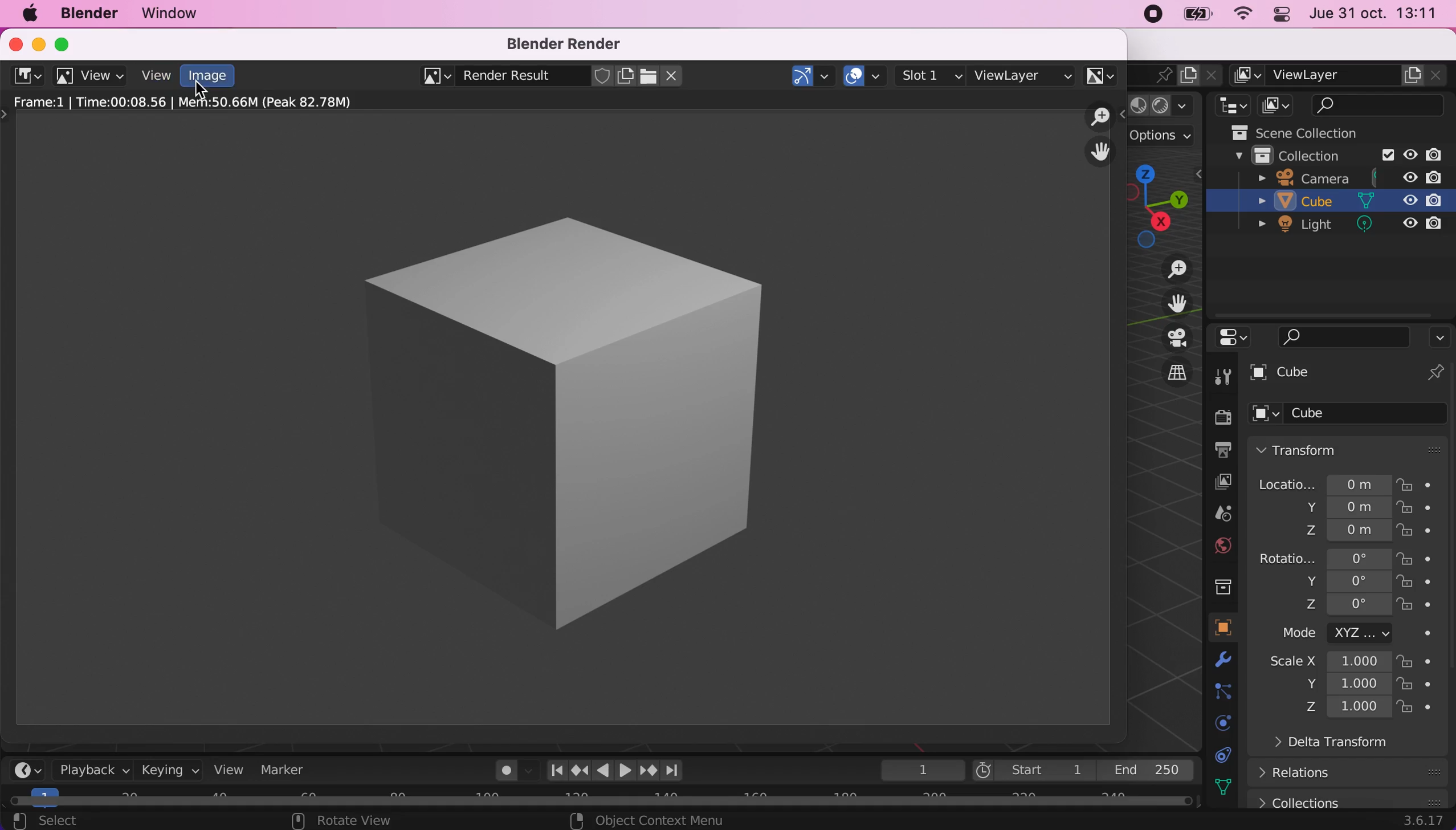  I want to click on data, so click(1227, 755).